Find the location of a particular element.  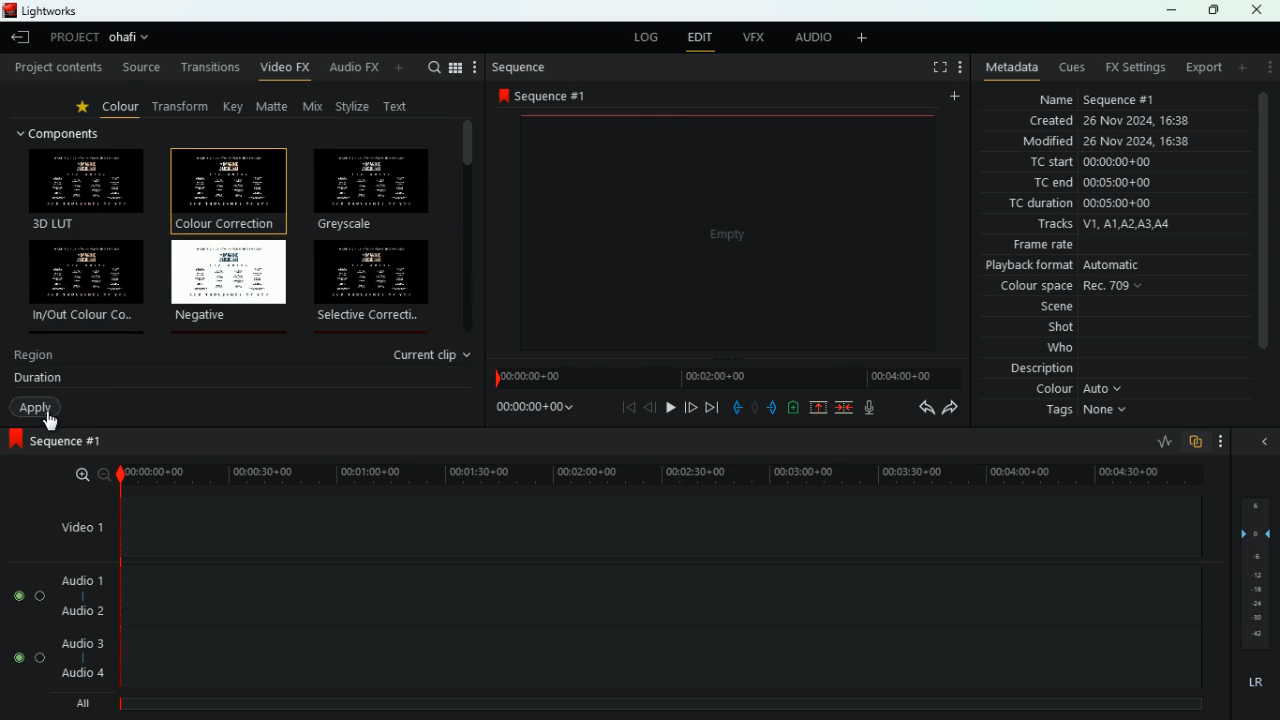

more is located at coordinates (953, 95).